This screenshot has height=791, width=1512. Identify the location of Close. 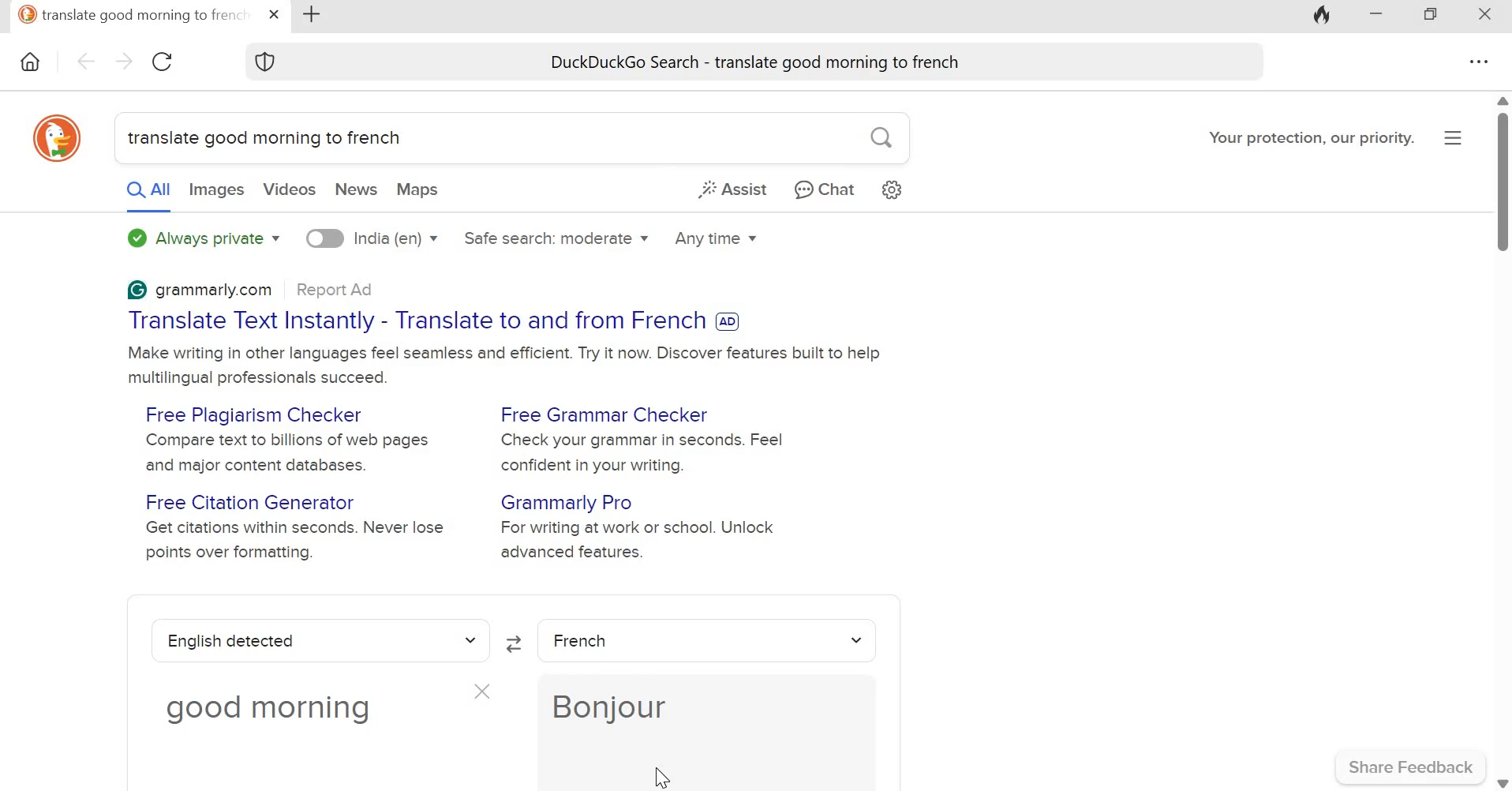
(1489, 18).